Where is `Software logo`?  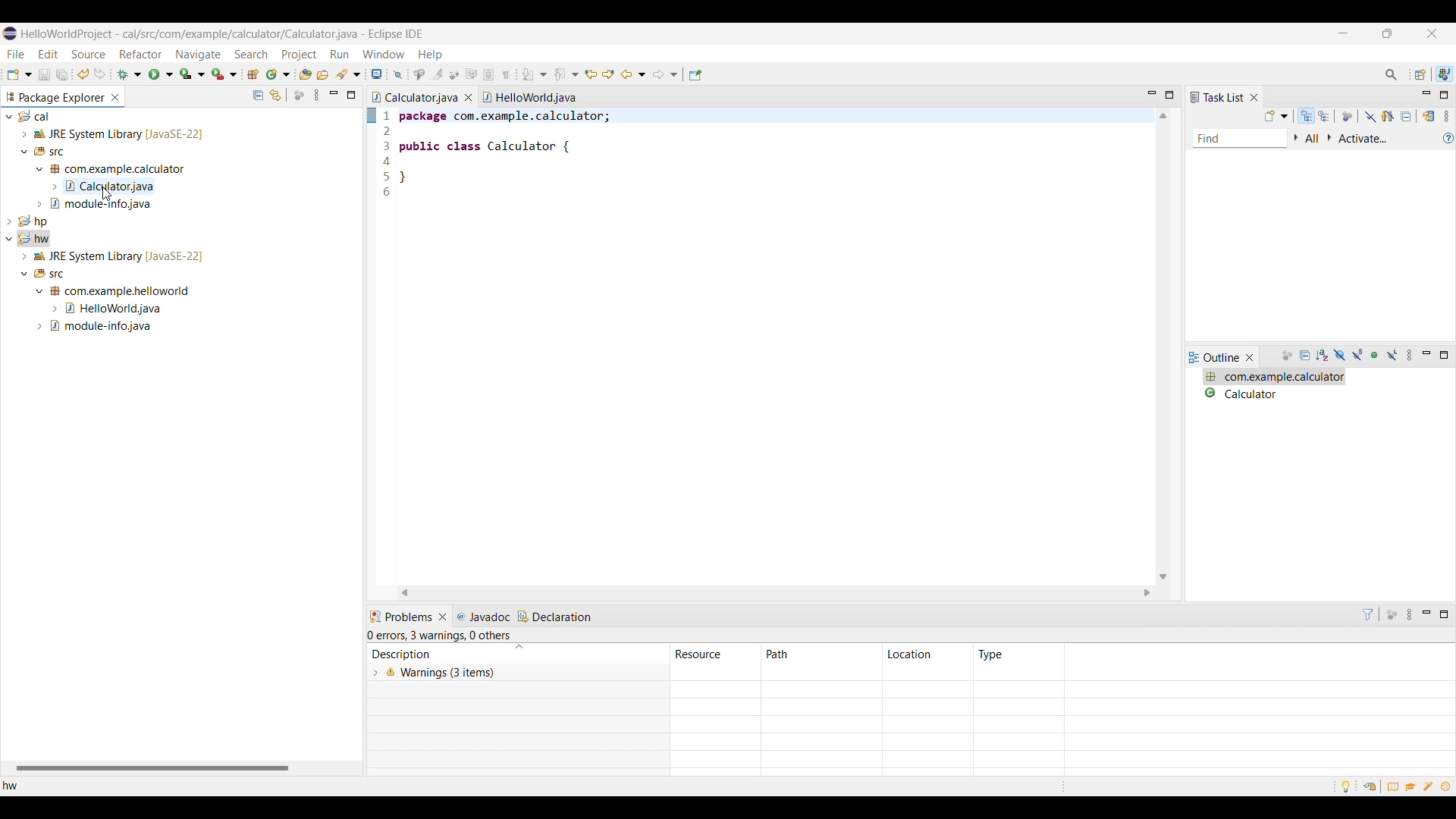
Software logo is located at coordinates (10, 33).